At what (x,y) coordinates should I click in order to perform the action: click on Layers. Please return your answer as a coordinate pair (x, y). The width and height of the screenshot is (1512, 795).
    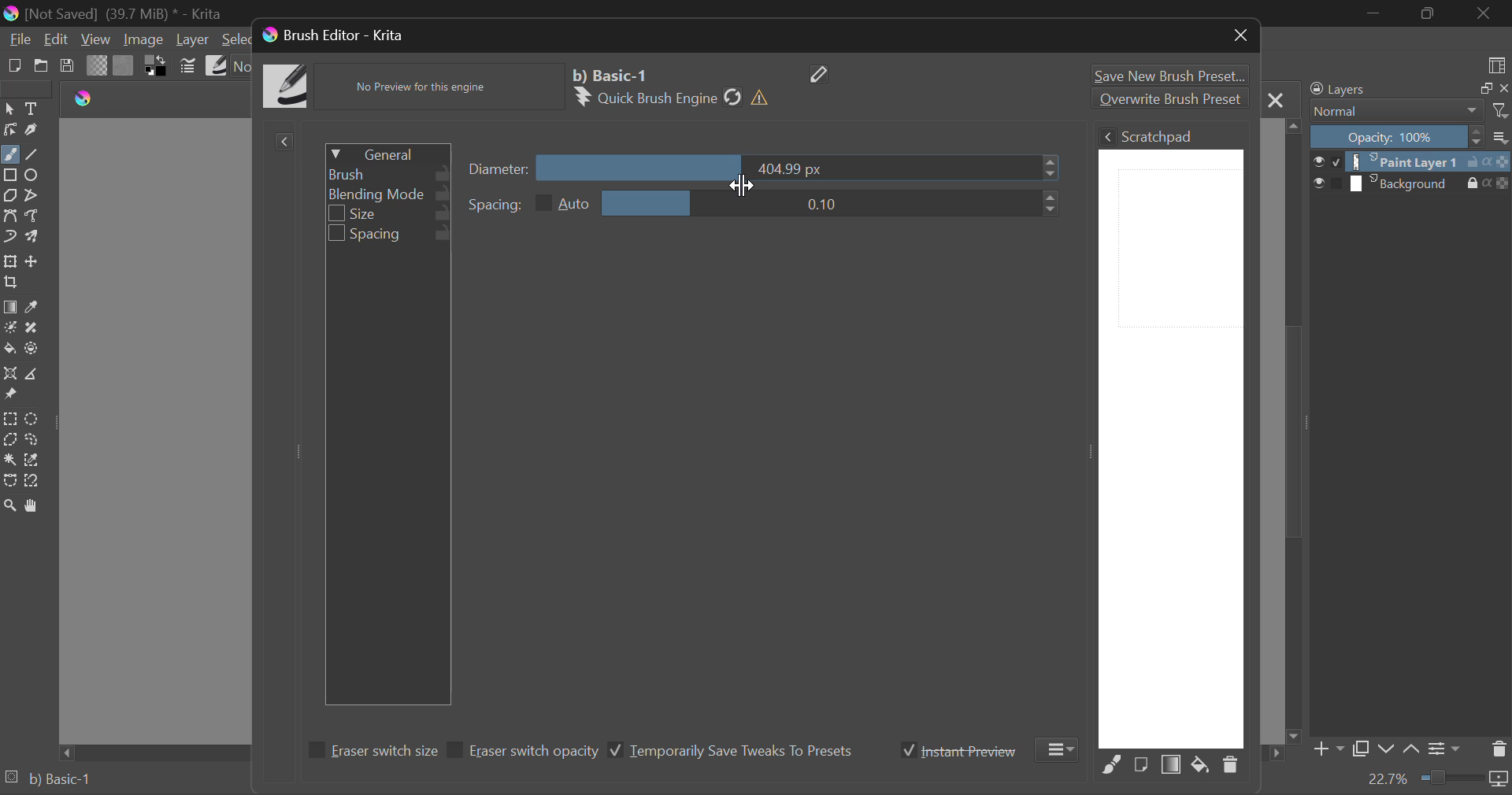
    Looking at the image, I should click on (1408, 89).